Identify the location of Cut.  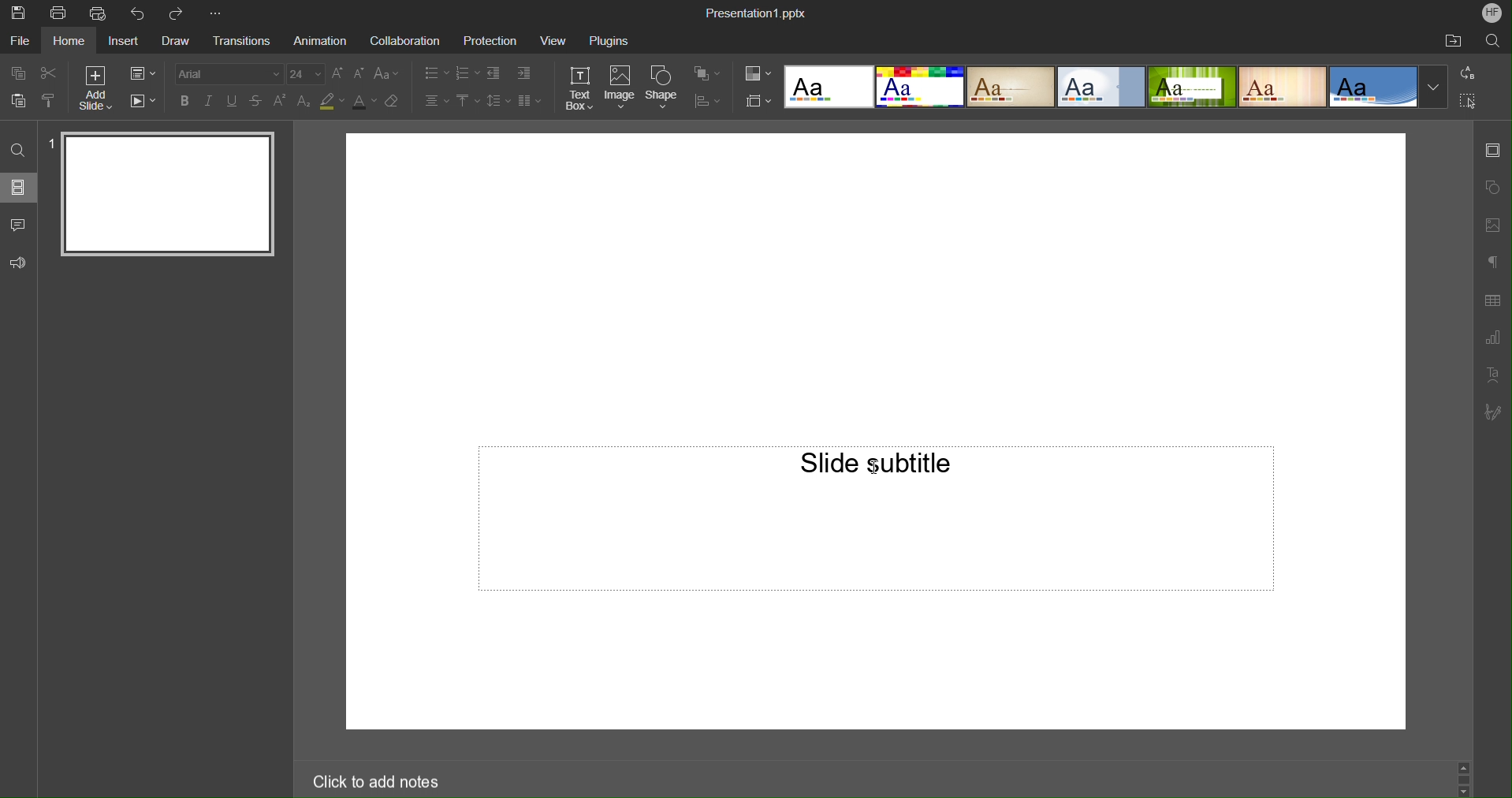
(49, 73).